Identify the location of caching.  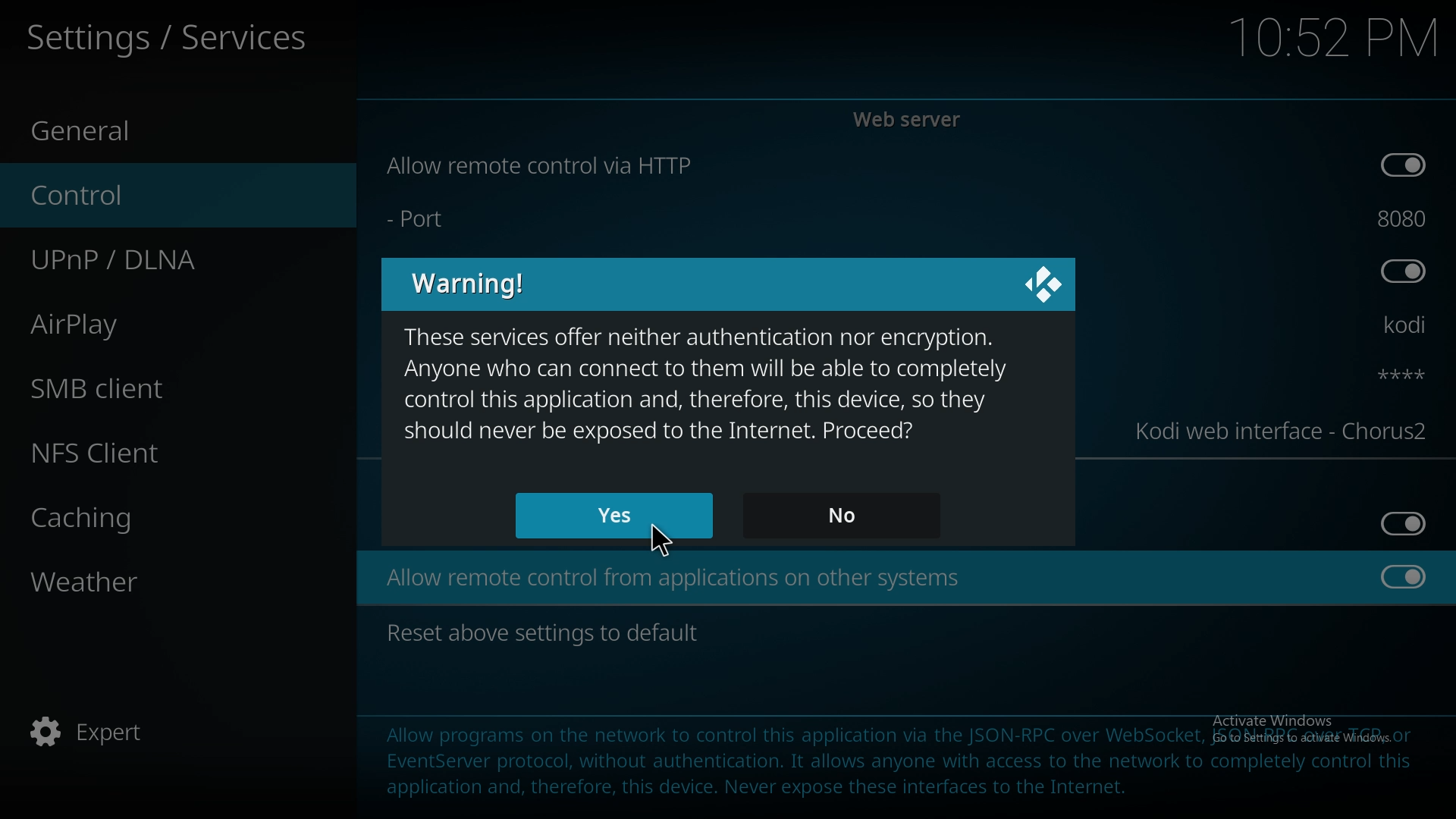
(155, 514).